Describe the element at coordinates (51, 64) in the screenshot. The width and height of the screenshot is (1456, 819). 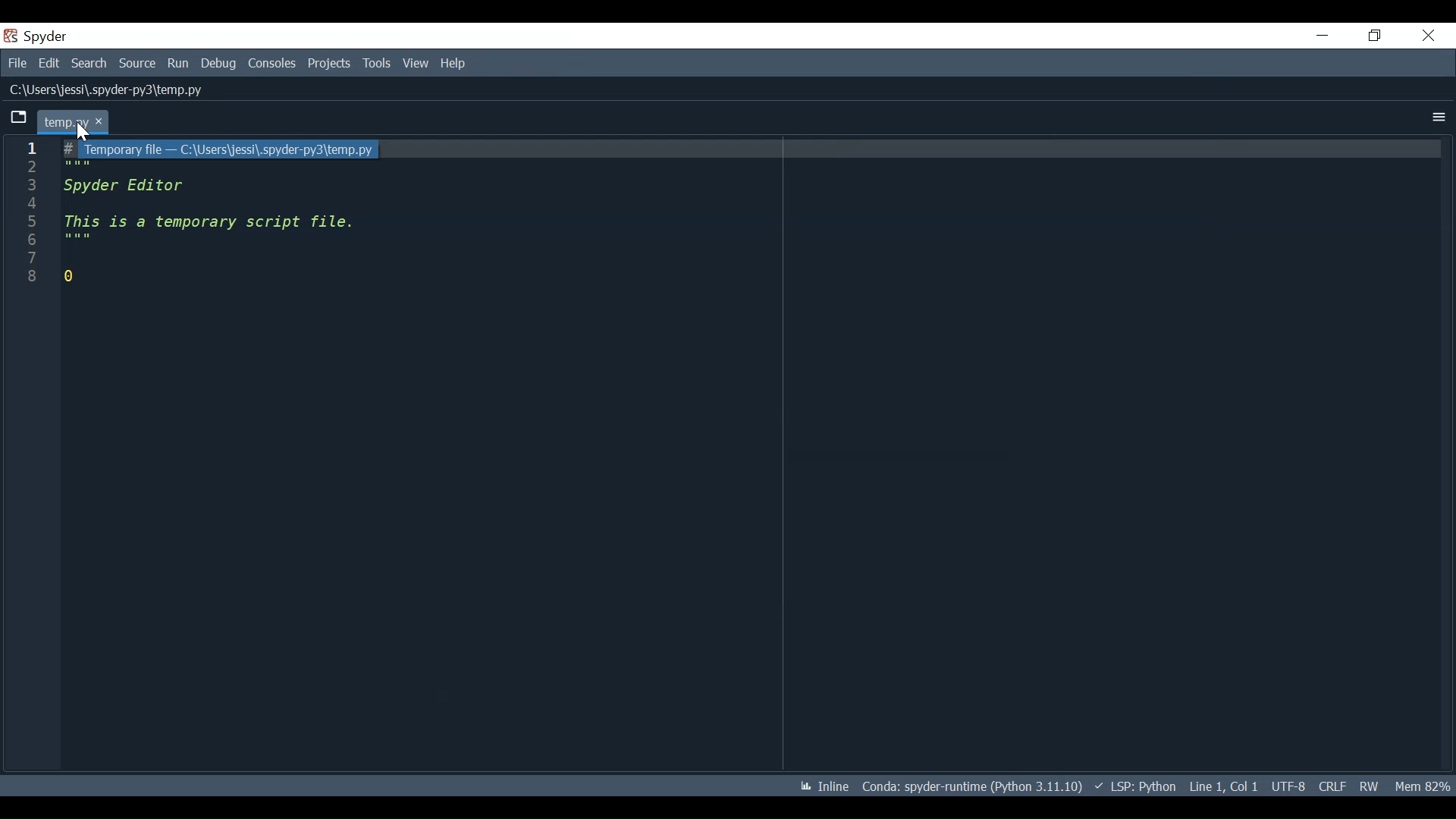
I see `Edit` at that location.